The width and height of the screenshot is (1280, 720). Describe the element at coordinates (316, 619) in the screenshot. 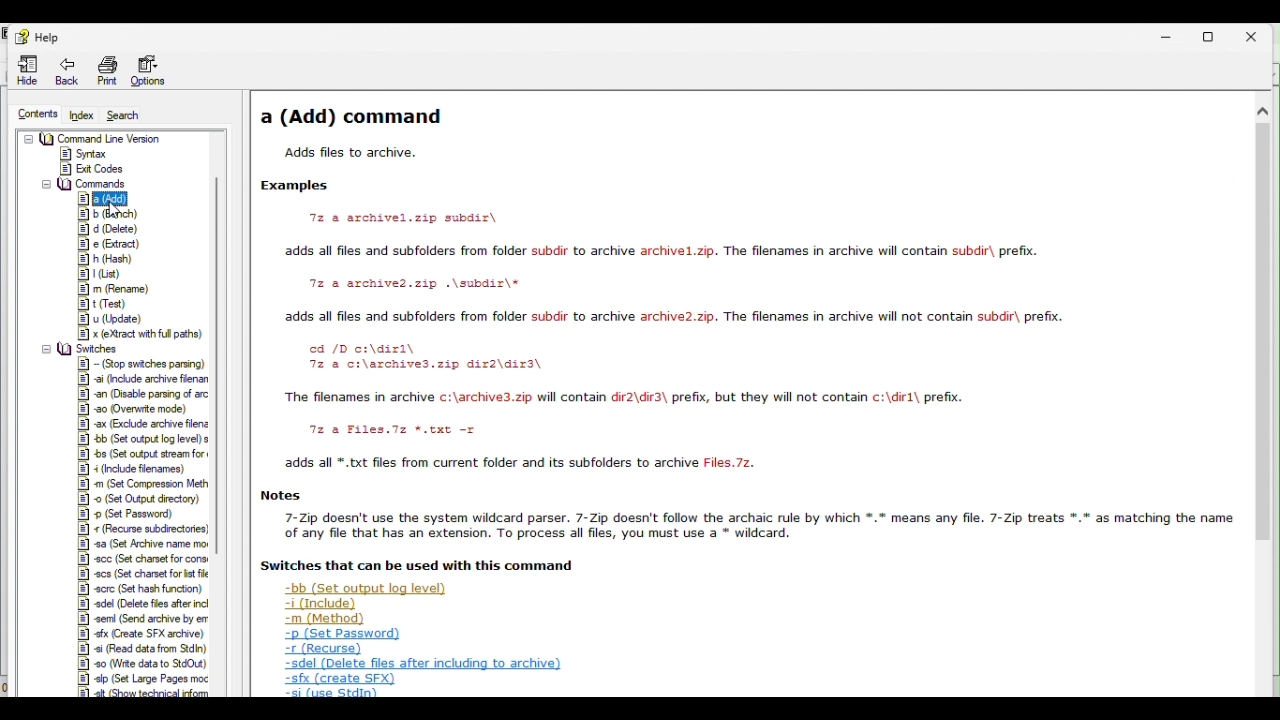

I see `-m` at that location.